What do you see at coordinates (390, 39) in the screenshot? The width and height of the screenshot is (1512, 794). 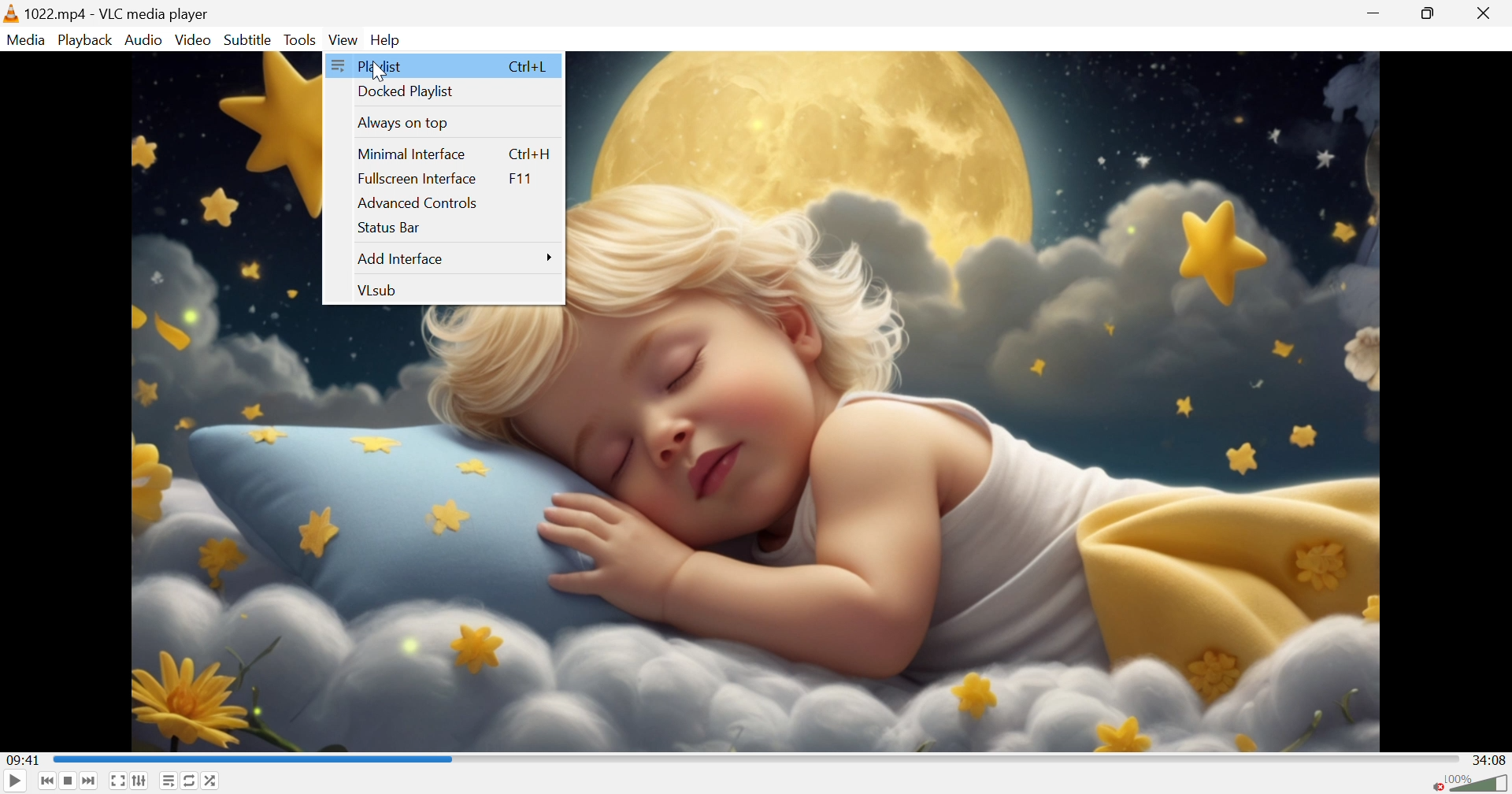 I see `Help` at bounding box center [390, 39].